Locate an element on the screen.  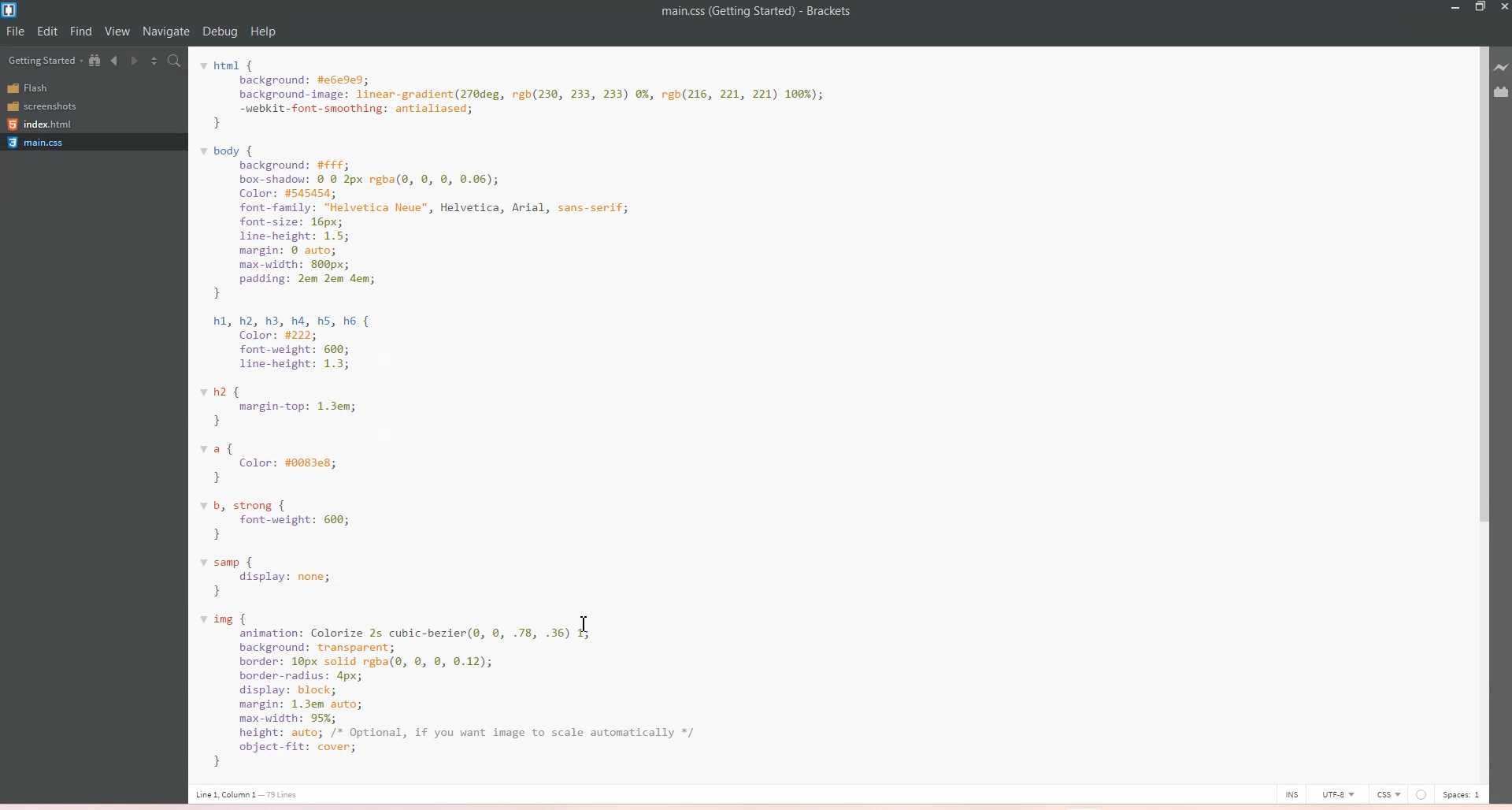
Show in the File Tree is located at coordinates (98, 60).